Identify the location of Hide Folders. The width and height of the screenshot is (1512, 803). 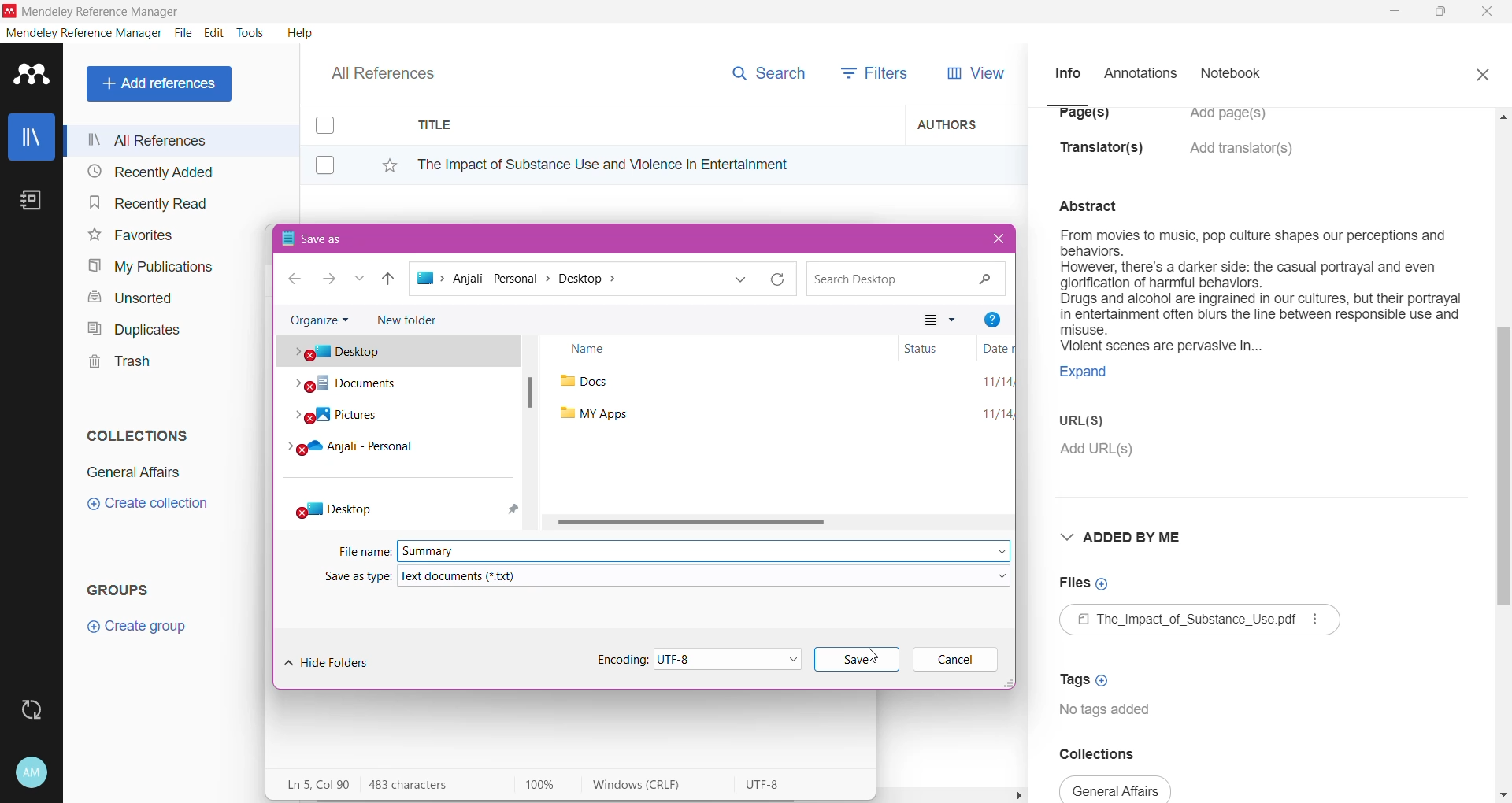
(332, 661).